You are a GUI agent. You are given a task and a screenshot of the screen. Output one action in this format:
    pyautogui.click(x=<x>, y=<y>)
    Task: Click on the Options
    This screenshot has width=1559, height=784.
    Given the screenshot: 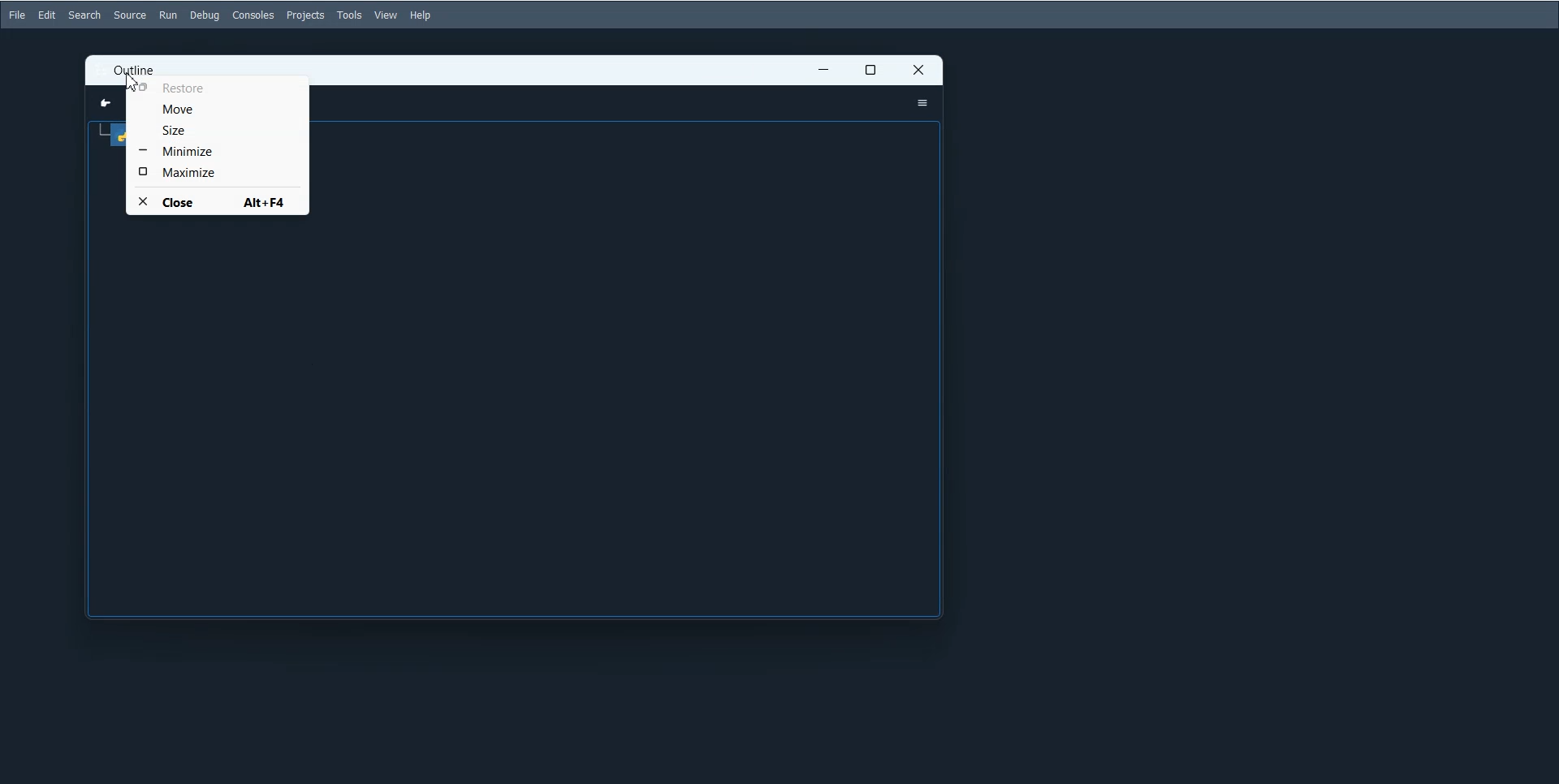 What is the action you would take?
    pyautogui.click(x=922, y=103)
    